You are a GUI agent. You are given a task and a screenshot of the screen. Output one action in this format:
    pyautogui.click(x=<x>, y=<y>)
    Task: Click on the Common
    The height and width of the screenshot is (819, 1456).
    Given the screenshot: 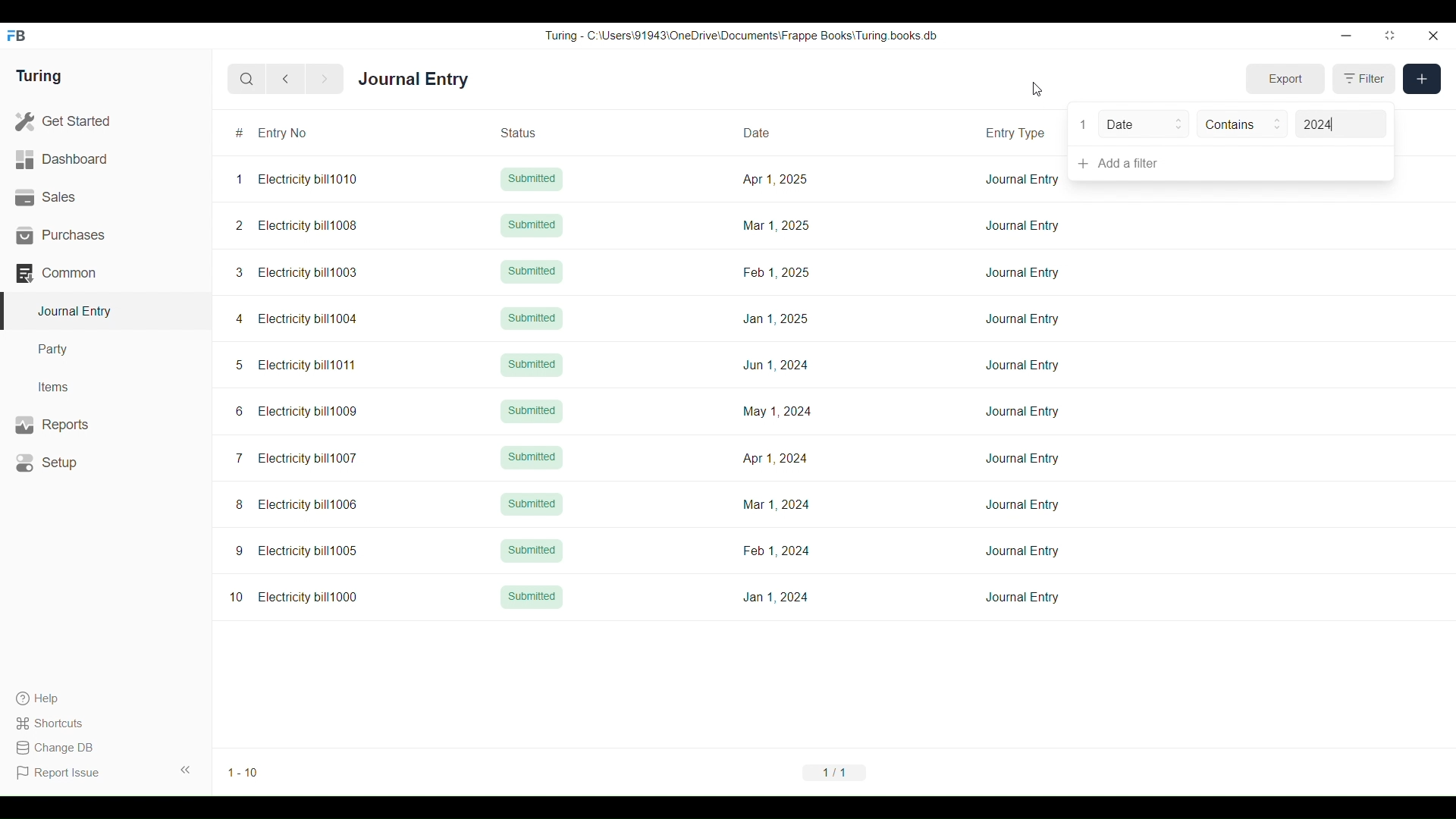 What is the action you would take?
    pyautogui.click(x=105, y=273)
    